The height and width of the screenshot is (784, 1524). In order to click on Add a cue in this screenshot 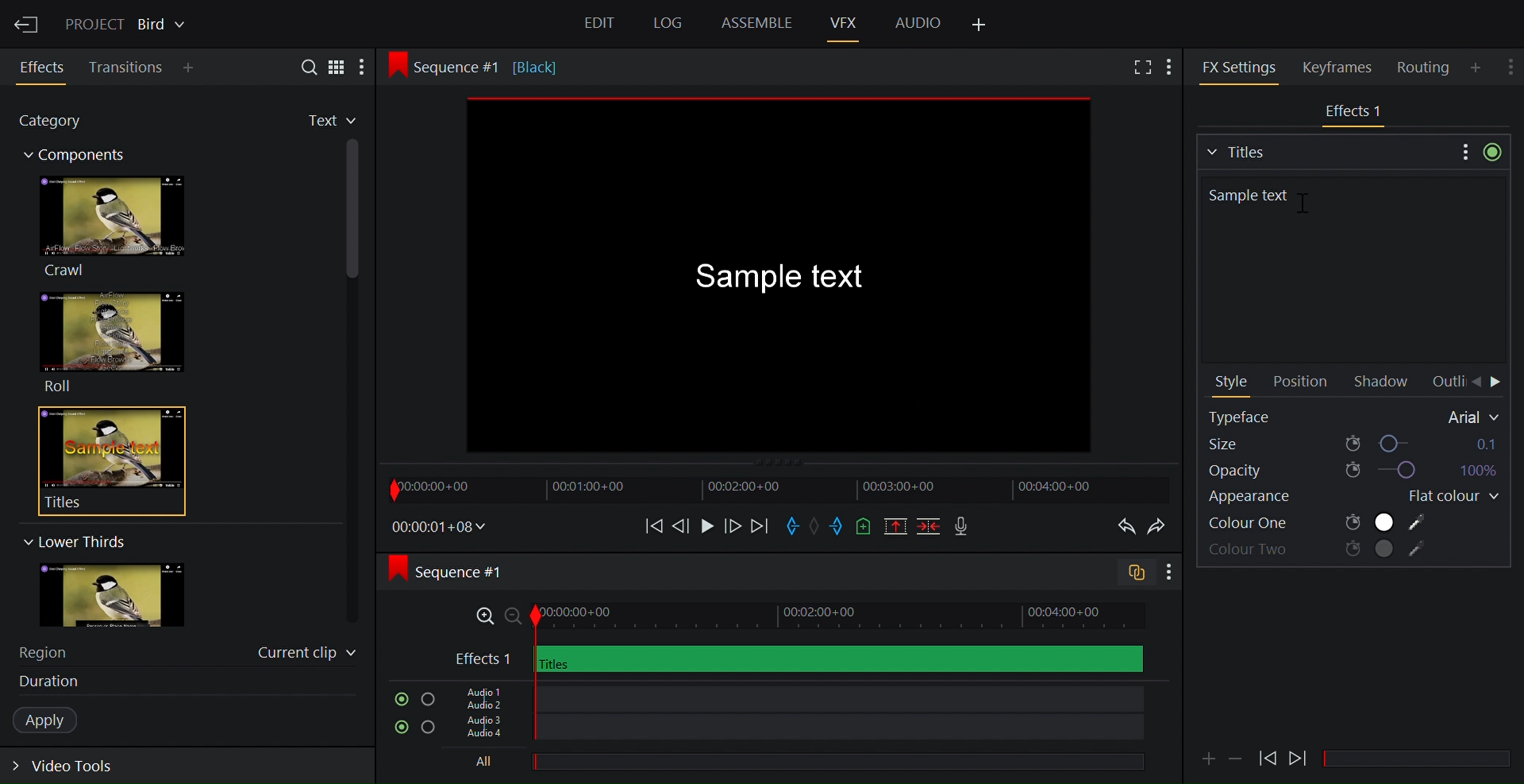, I will do `click(864, 528)`.